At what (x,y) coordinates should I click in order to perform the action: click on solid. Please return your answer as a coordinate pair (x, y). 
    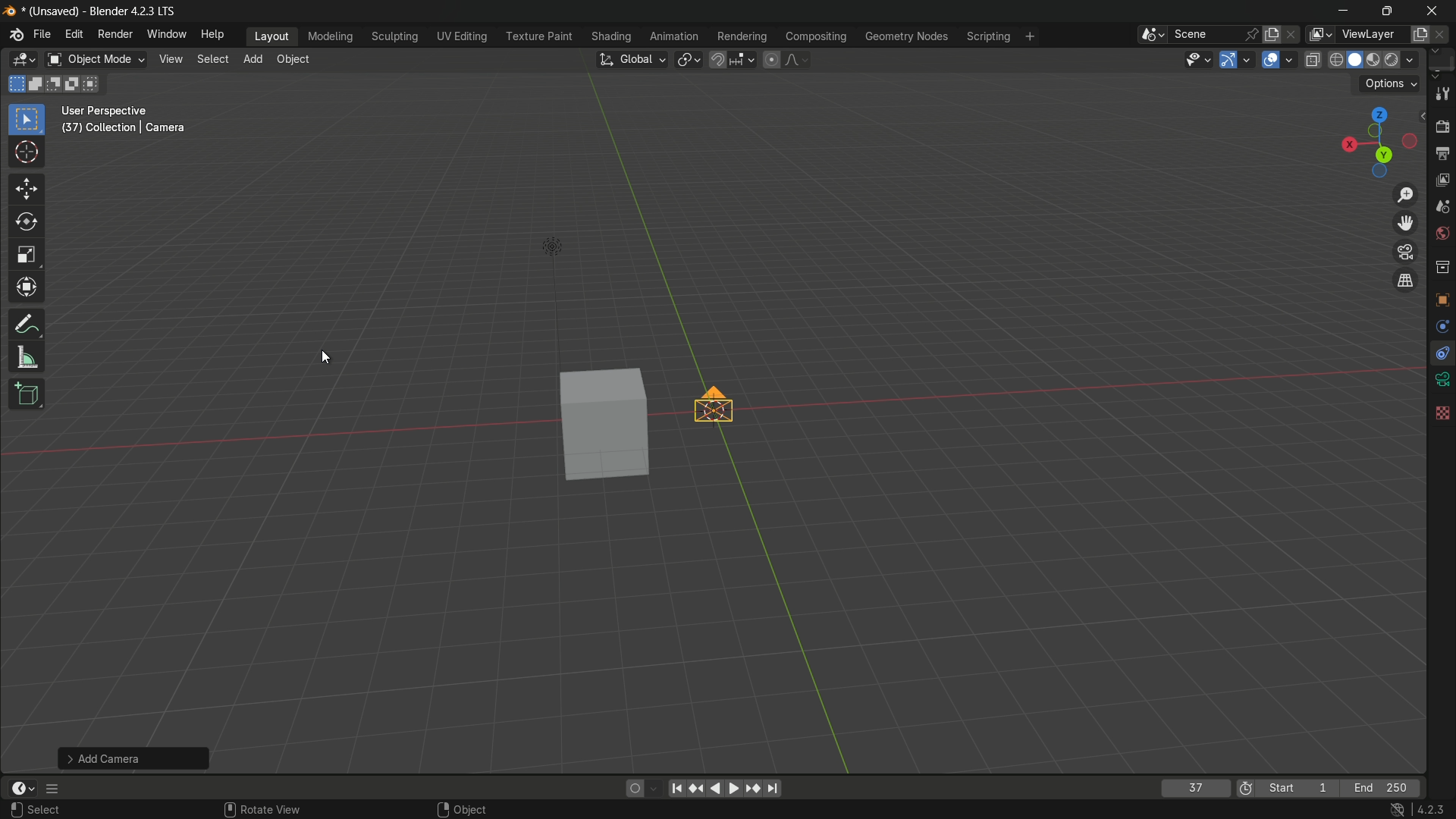
    Looking at the image, I should click on (1357, 59).